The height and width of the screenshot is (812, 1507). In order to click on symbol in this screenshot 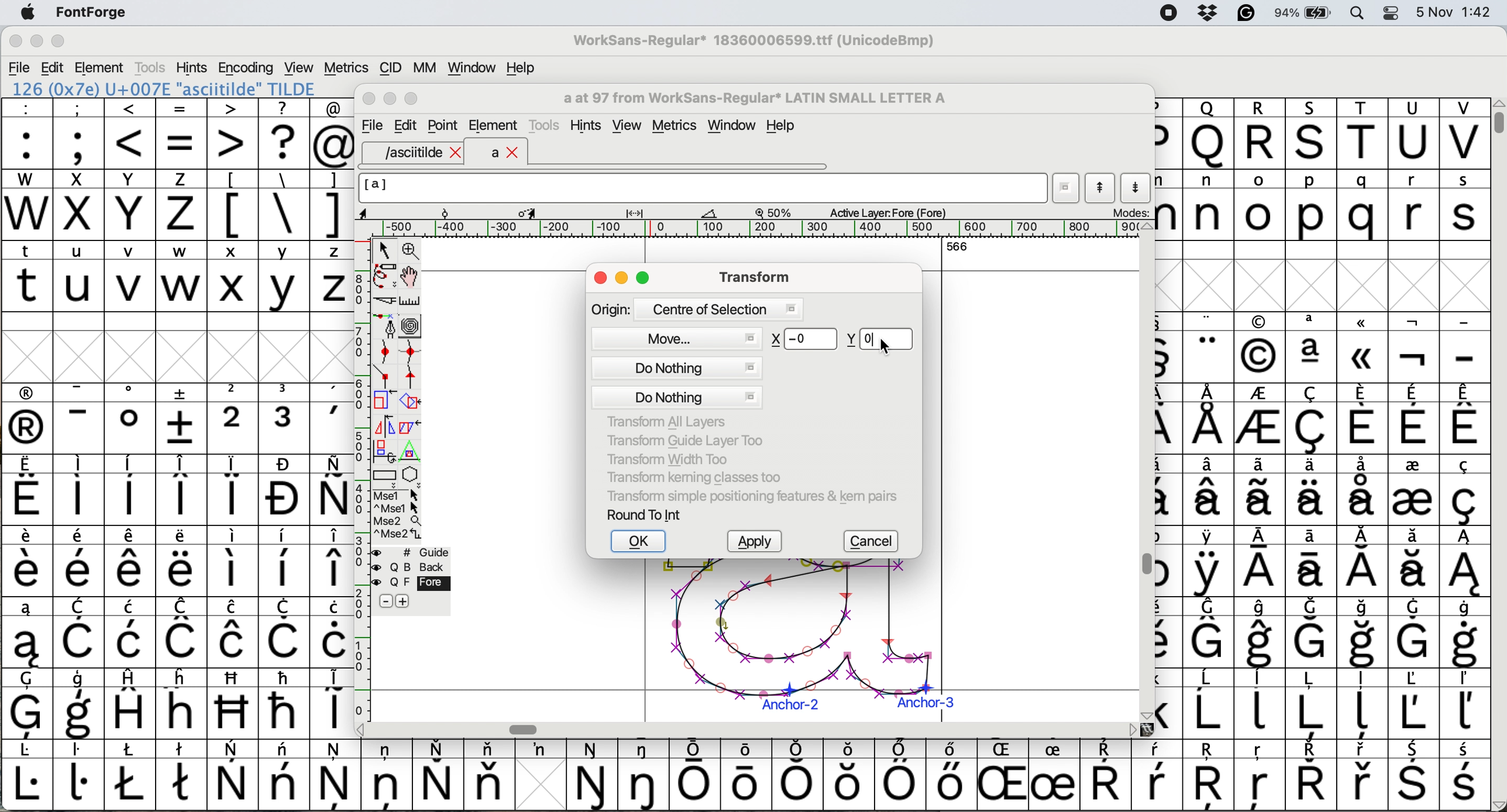, I will do `click(331, 490)`.